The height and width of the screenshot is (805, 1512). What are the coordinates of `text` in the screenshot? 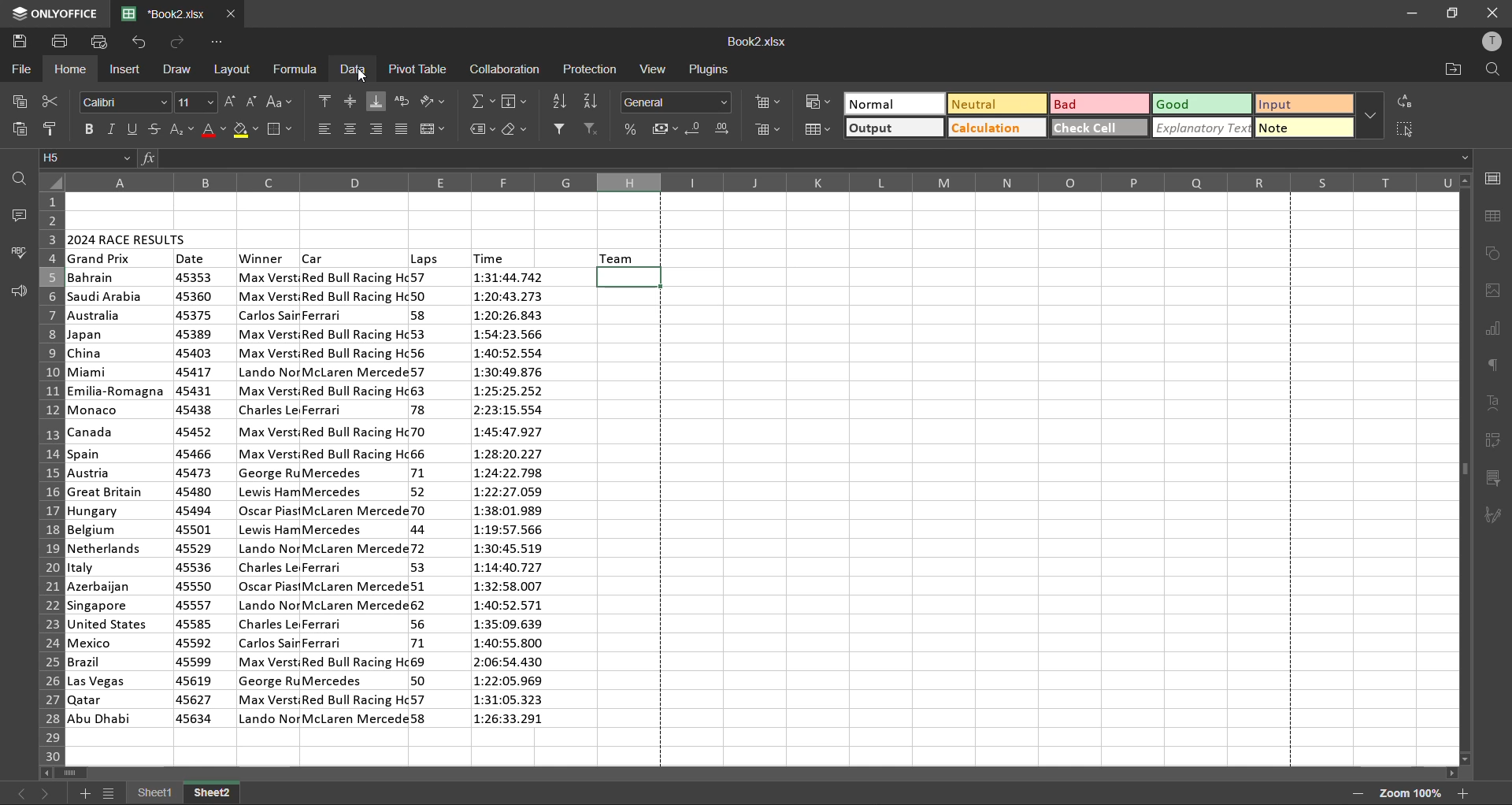 It's located at (1495, 403).